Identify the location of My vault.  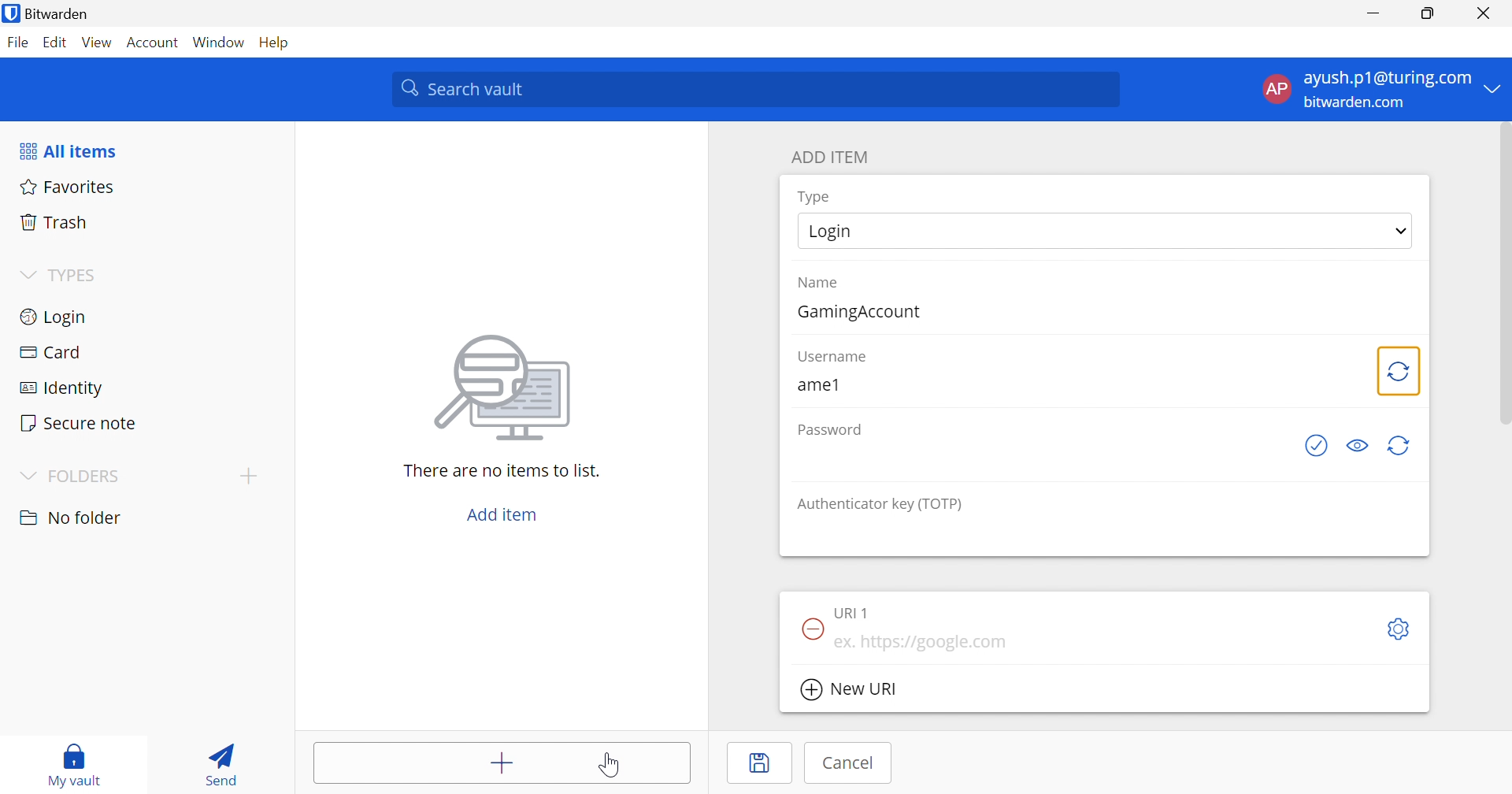
(72, 762).